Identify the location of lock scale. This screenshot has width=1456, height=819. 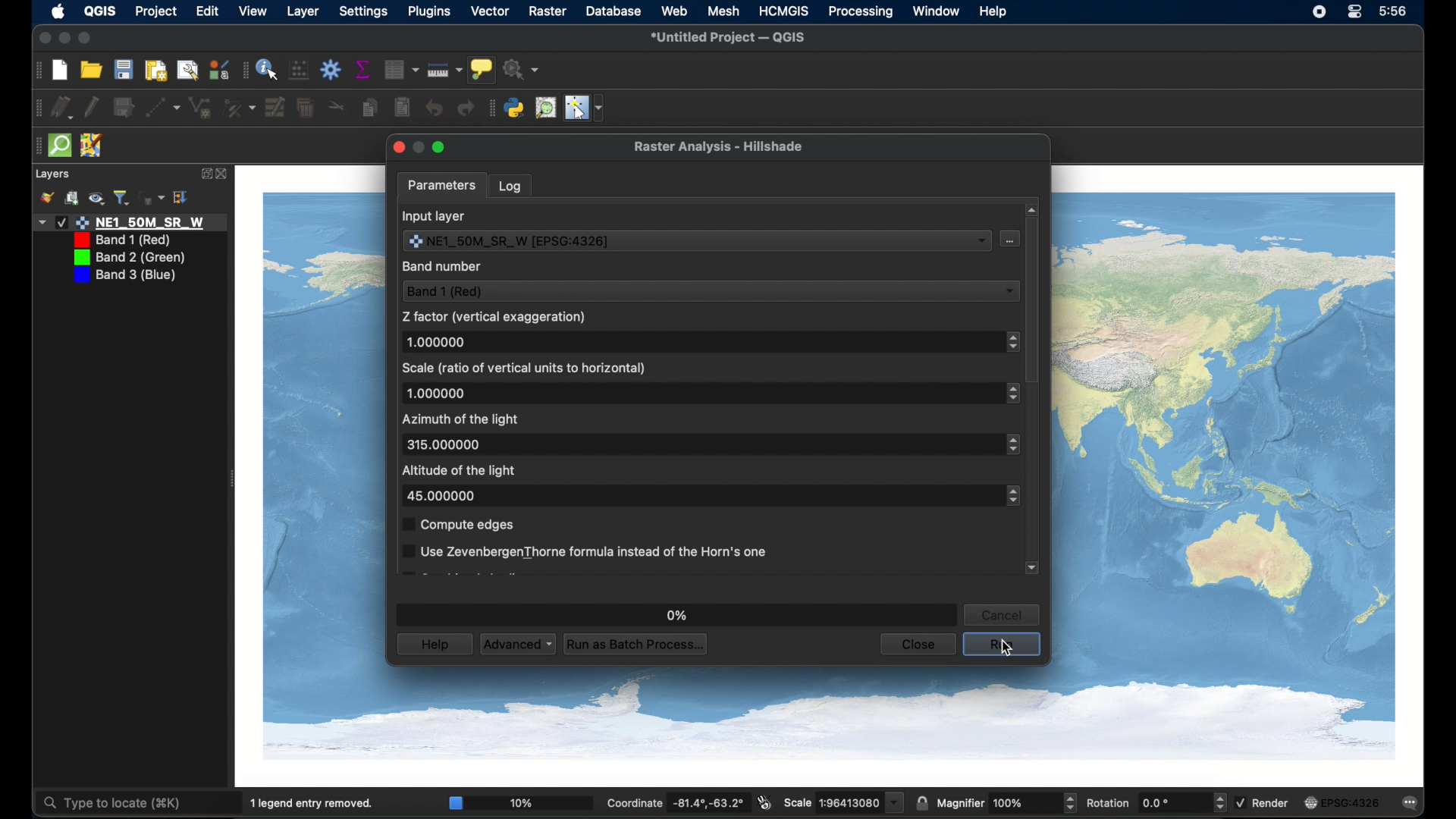
(921, 804).